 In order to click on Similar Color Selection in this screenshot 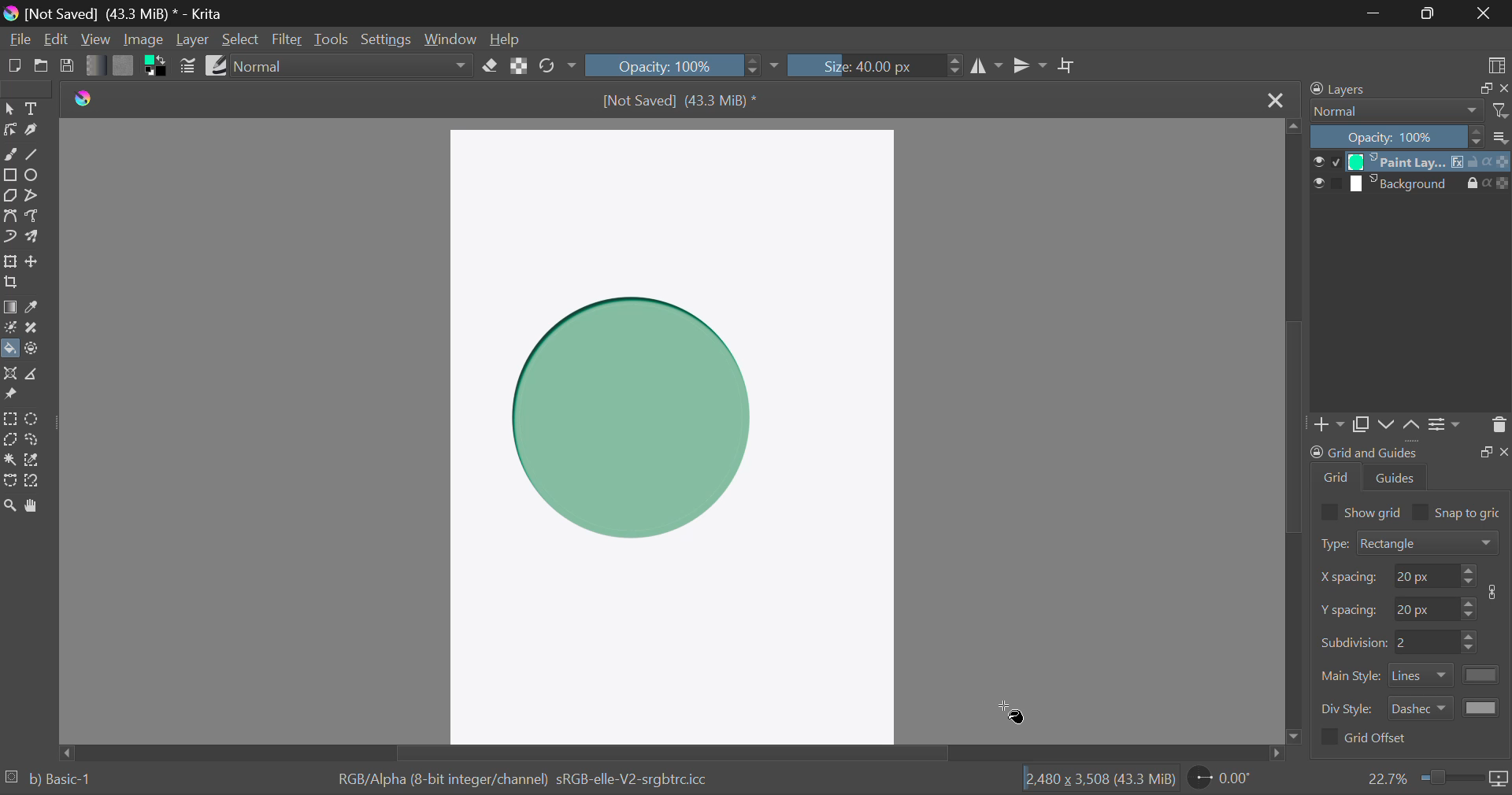, I will do `click(32, 461)`.